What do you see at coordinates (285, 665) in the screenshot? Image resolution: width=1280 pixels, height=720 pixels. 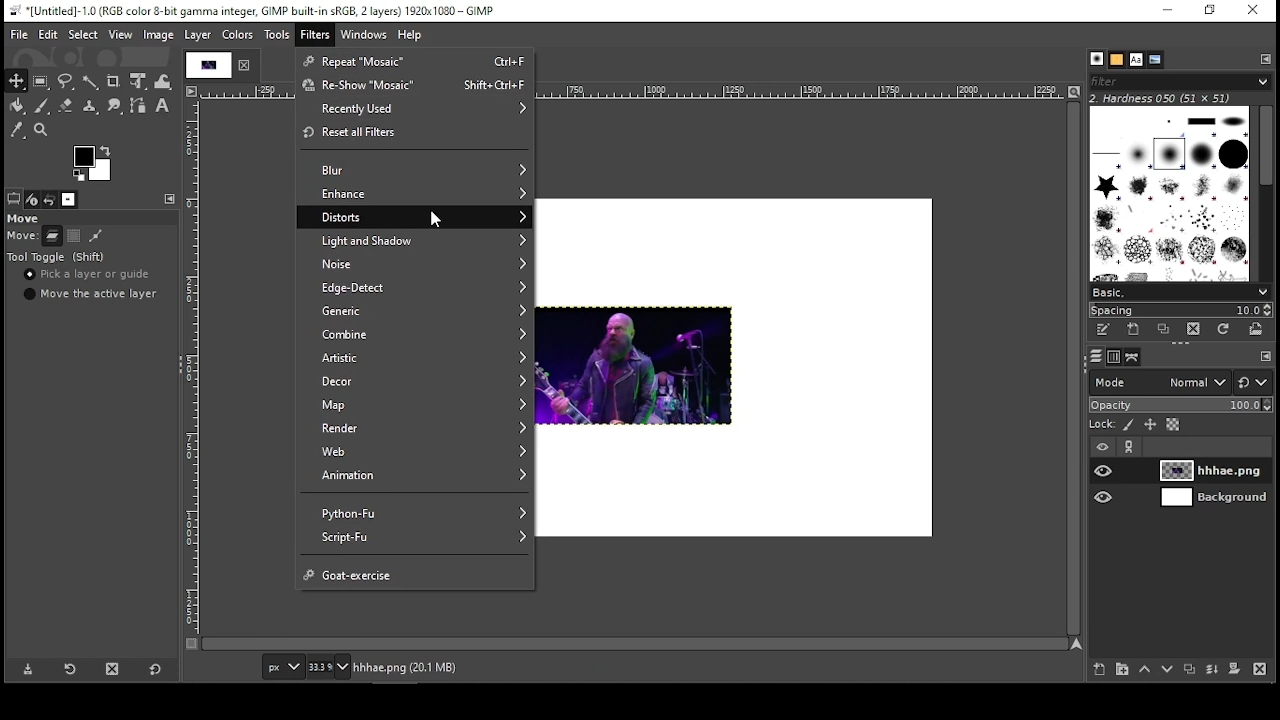 I see `units` at bounding box center [285, 665].